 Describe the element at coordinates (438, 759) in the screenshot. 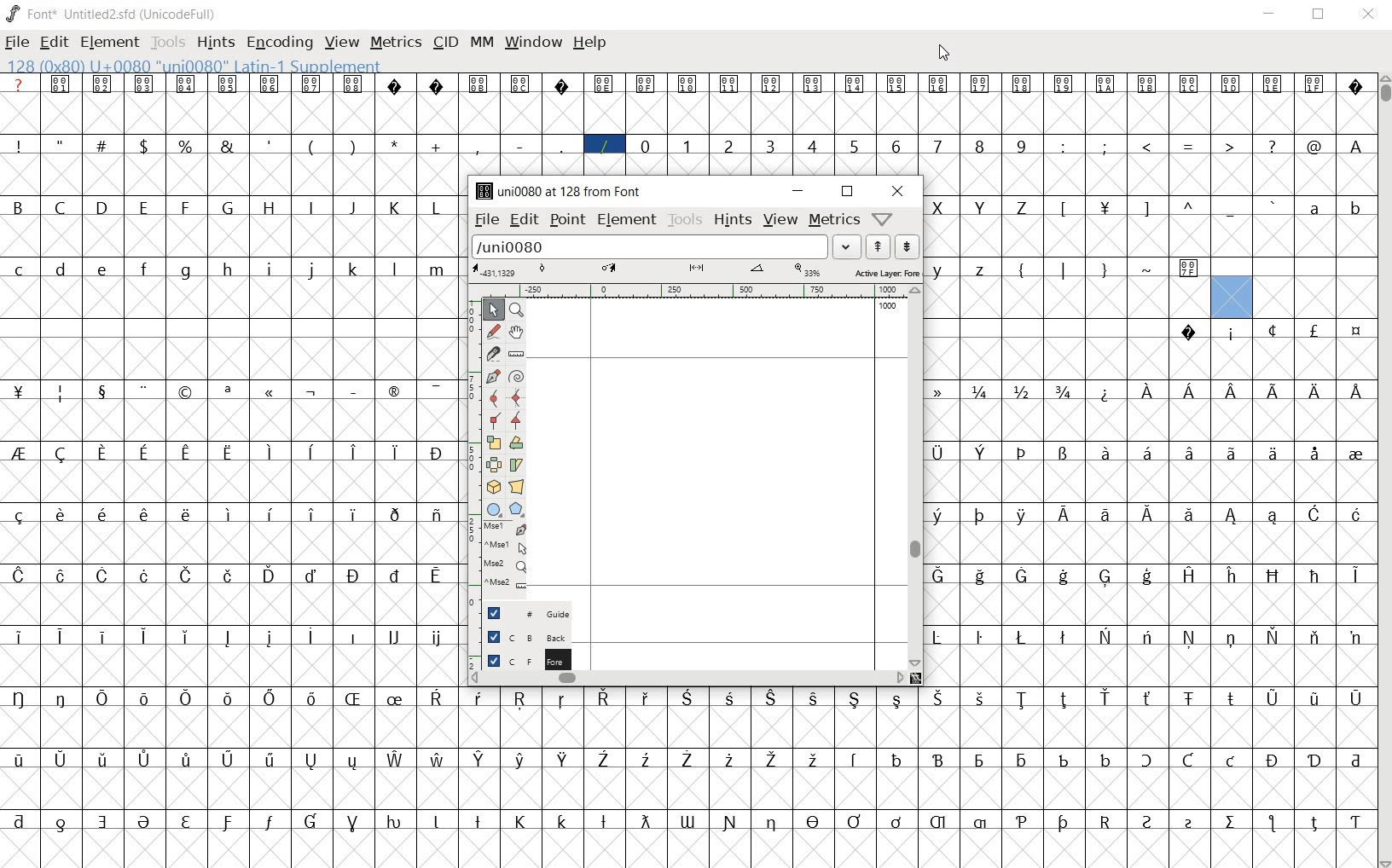

I see `glyph` at that location.